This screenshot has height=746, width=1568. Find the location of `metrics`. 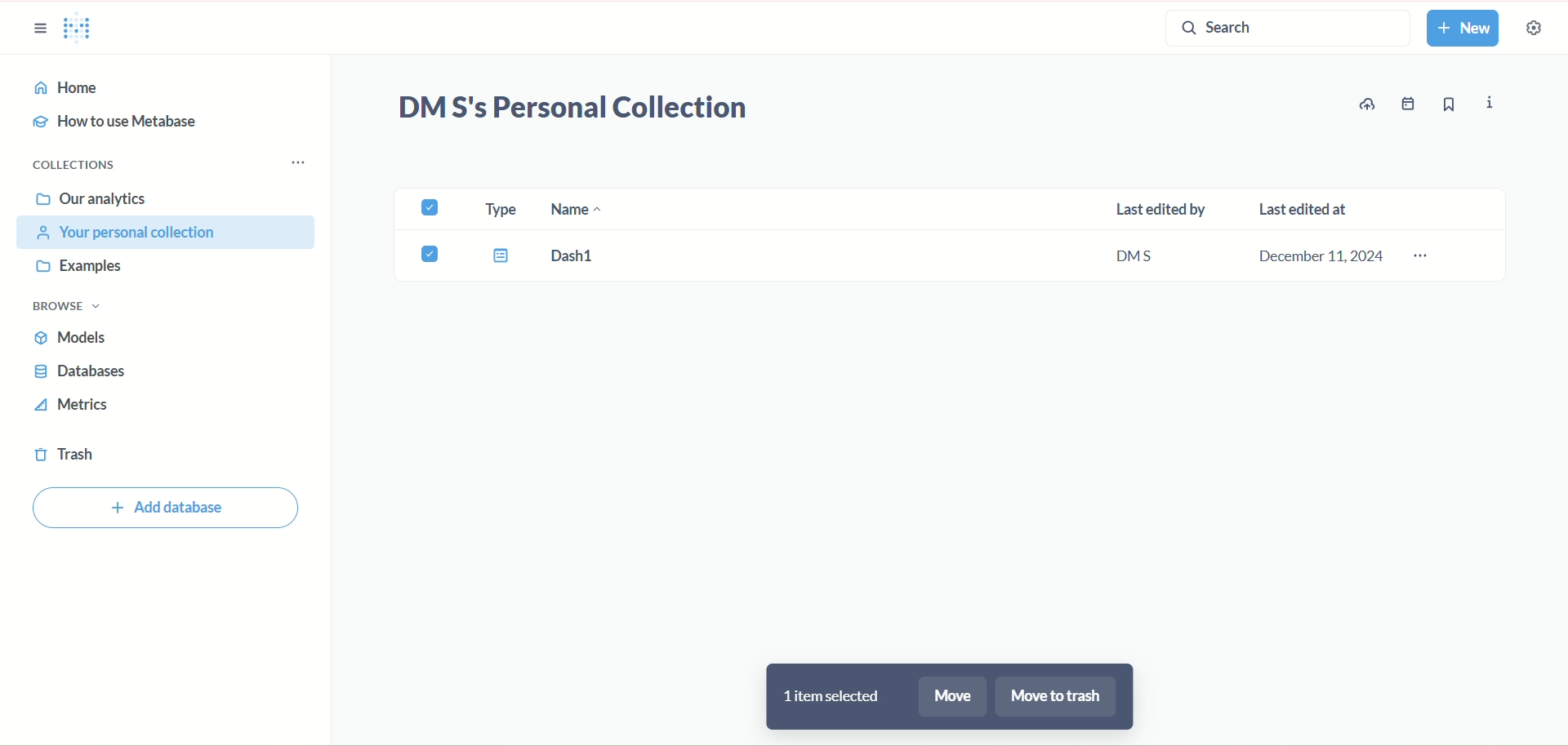

metrics is located at coordinates (81, 405).